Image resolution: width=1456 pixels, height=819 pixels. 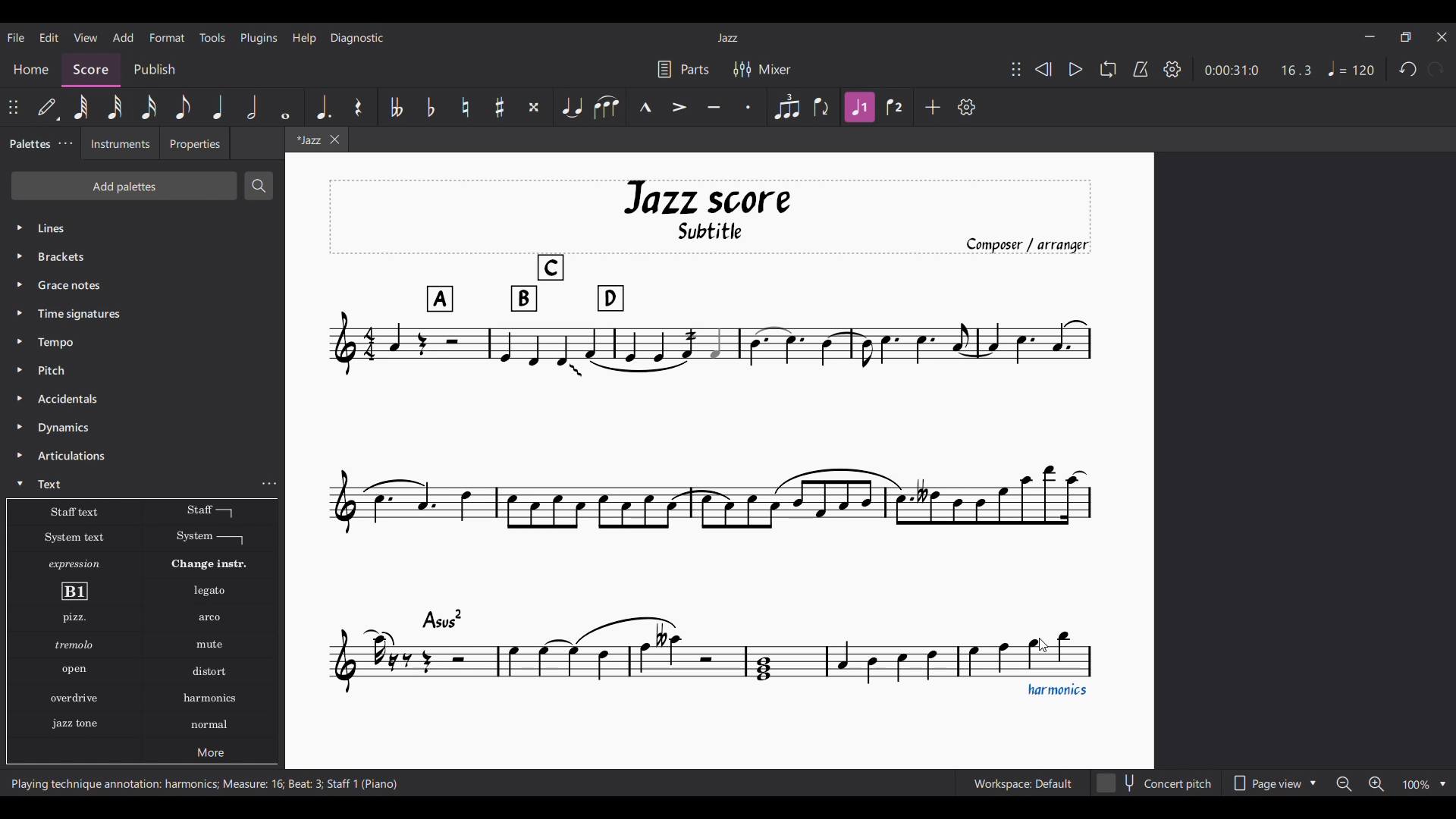 What do you see at coordinates (213, 38) in the screenshot?
I see `Tools menu` at bounding box center [213, 38].